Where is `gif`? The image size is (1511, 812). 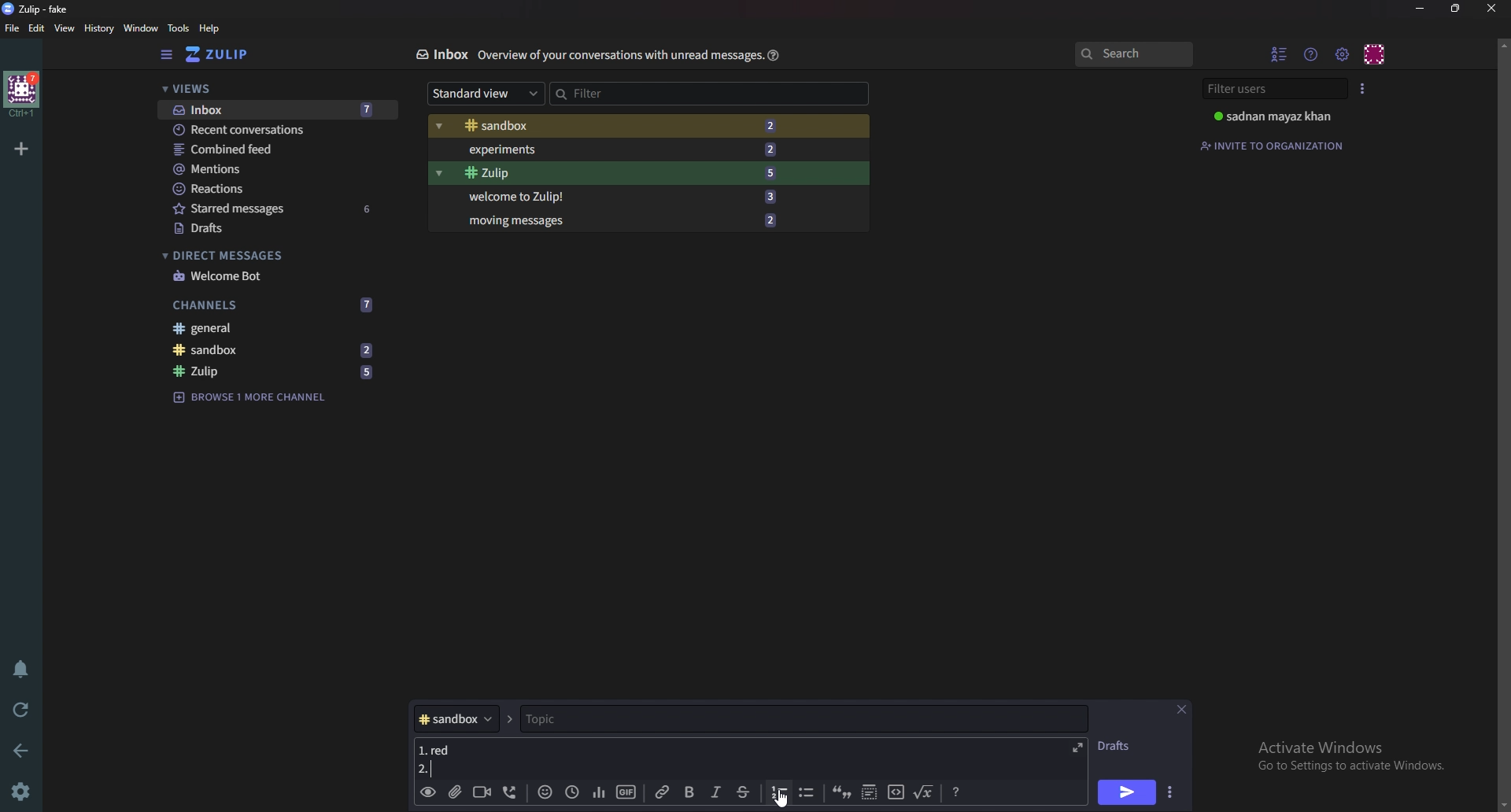 gif is located at coordinates (625, 790).